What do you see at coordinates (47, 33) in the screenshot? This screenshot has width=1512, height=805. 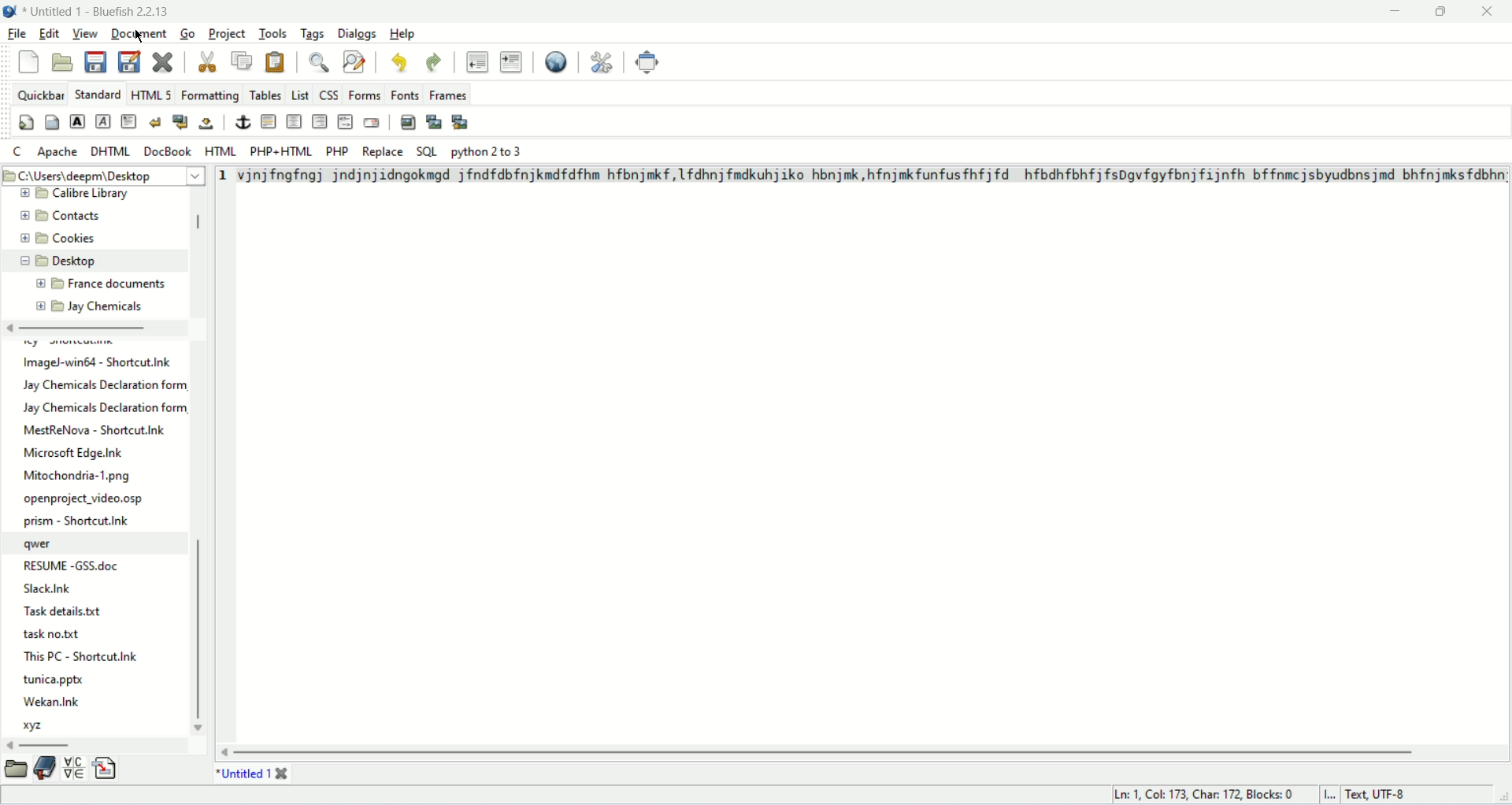 I see `edit` at bounding box center [47, 33].